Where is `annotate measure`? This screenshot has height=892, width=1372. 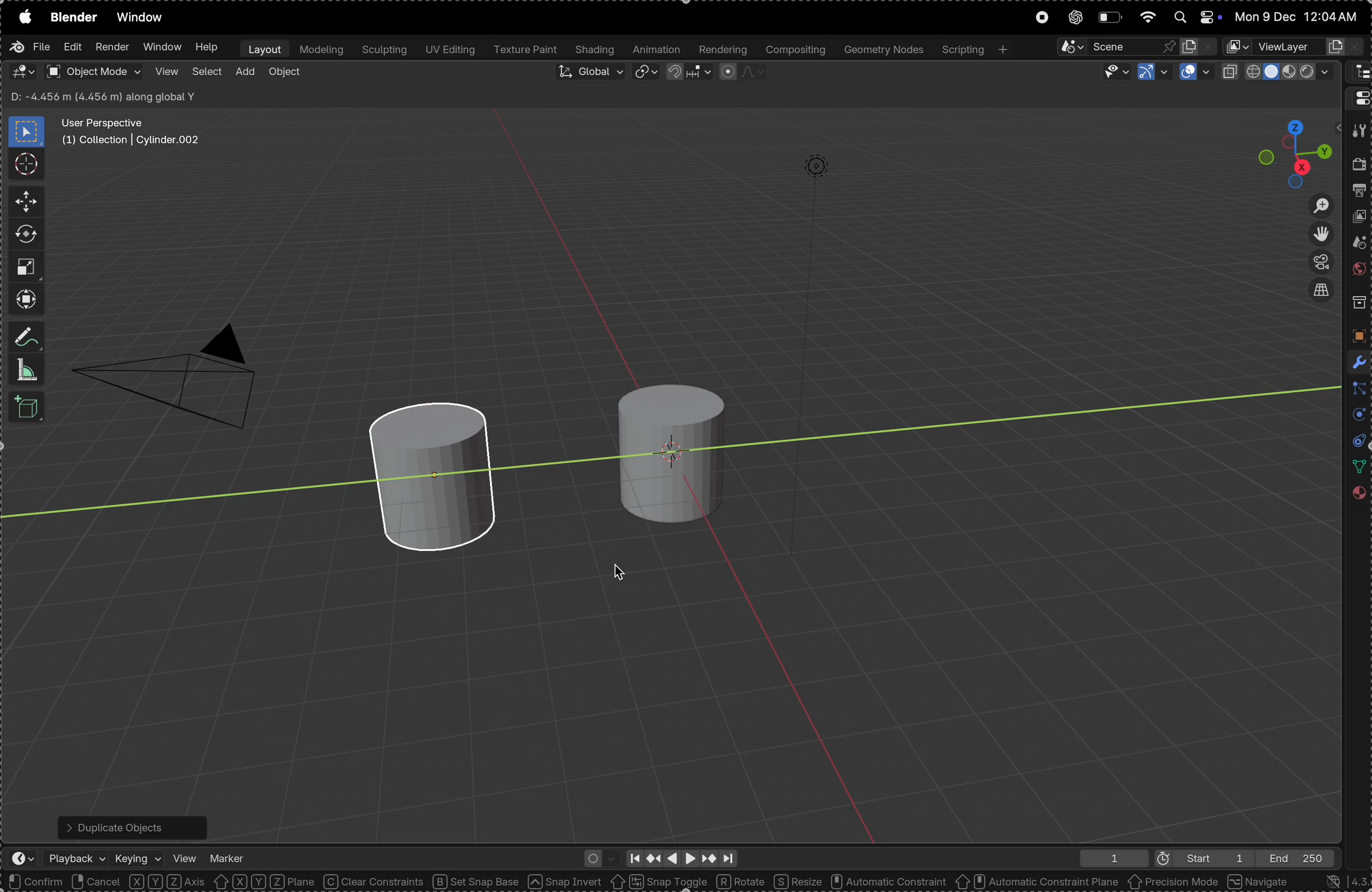
annotate measure is located at coordinates (28, 338).